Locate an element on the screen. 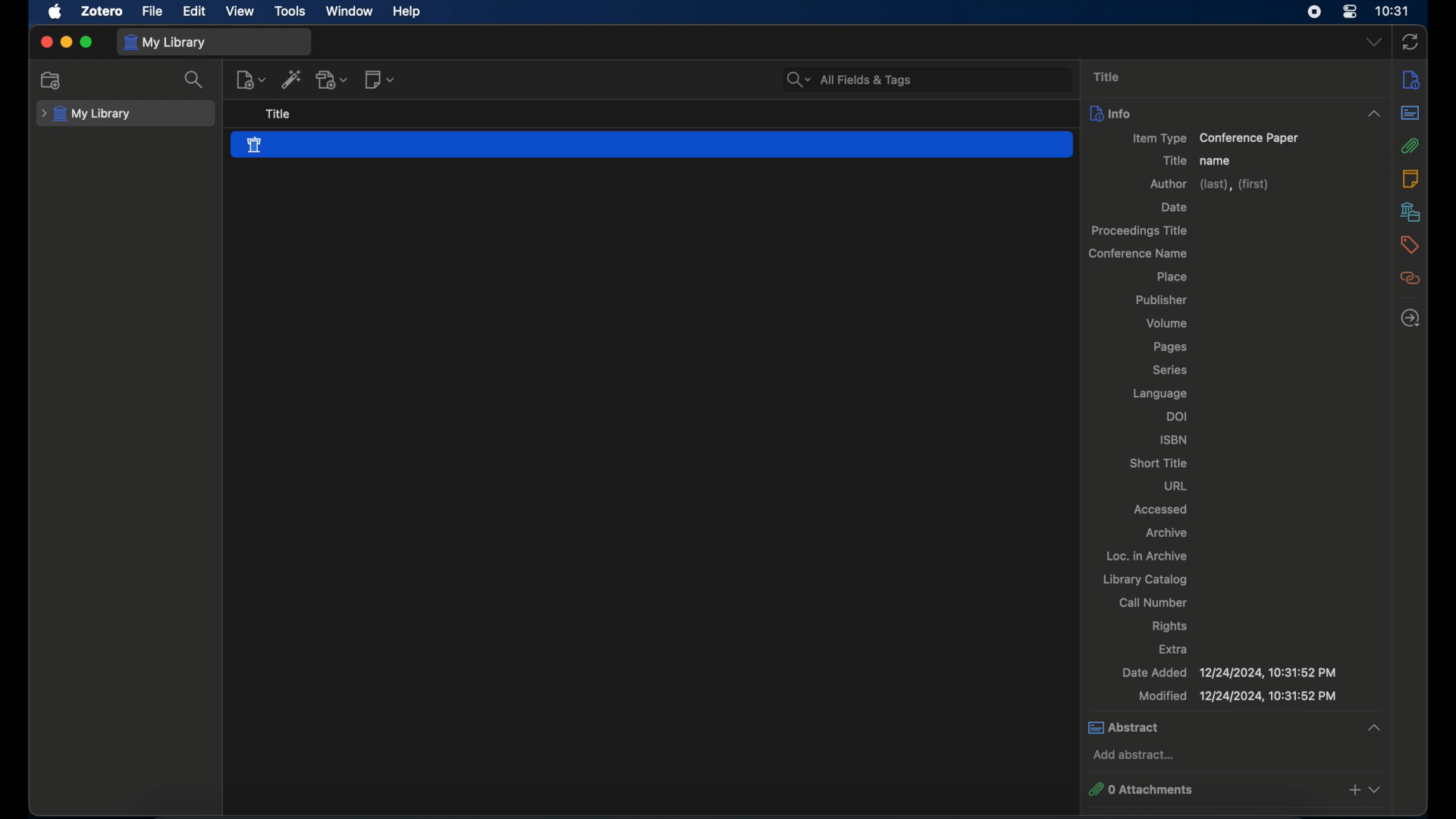 Image resolution: width=1456 pixels, height=819 pixels. language is located at coordinates (1159, 394).